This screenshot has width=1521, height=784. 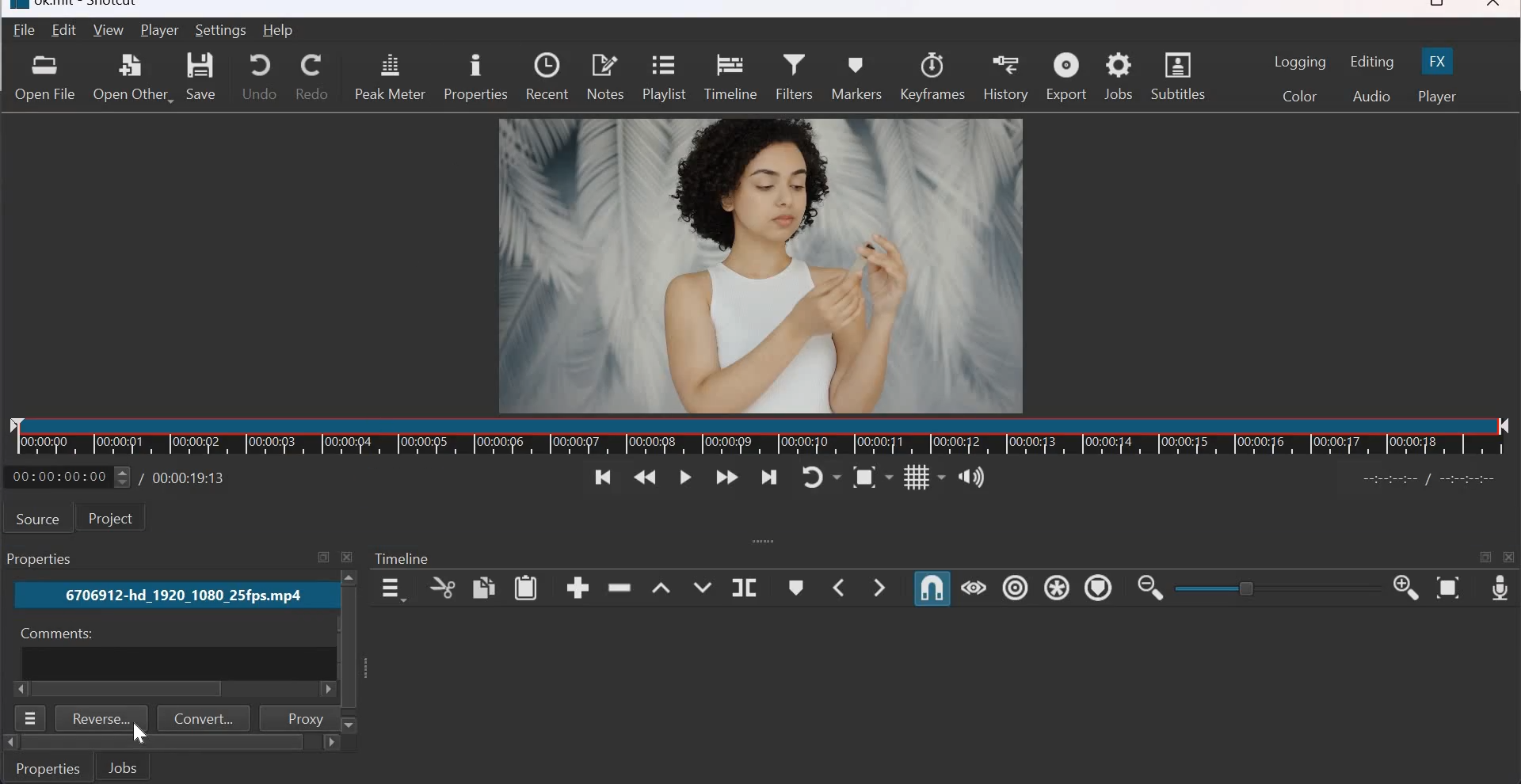 What do you see at coordinates (349, 557) in the screenshot?
I see `close` at bounding box center [349, 557].